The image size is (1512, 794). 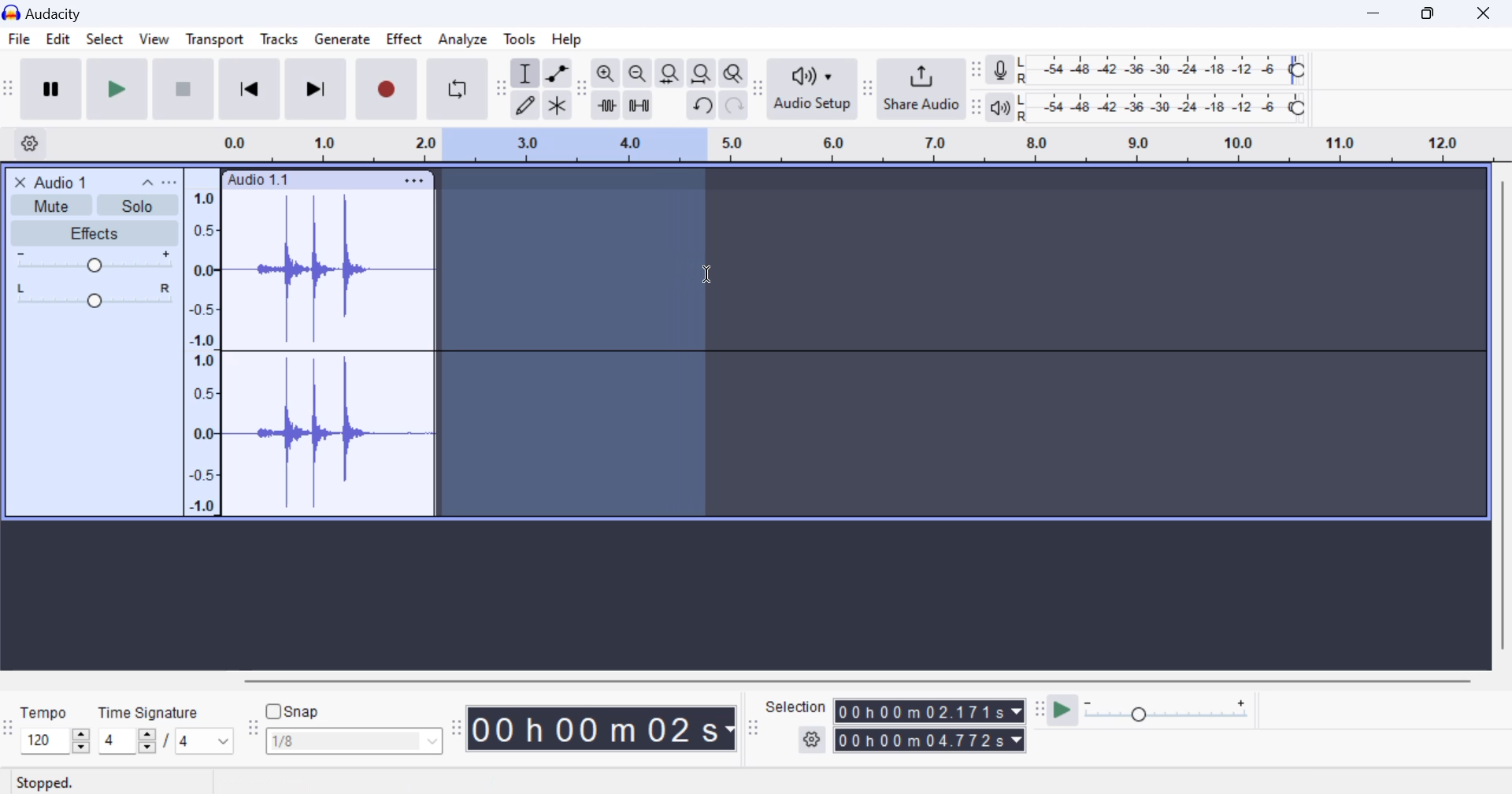 What do you see at coordinates (139, 206) in the screenshot?
I see `Solo` at bounding box center [139, 206].